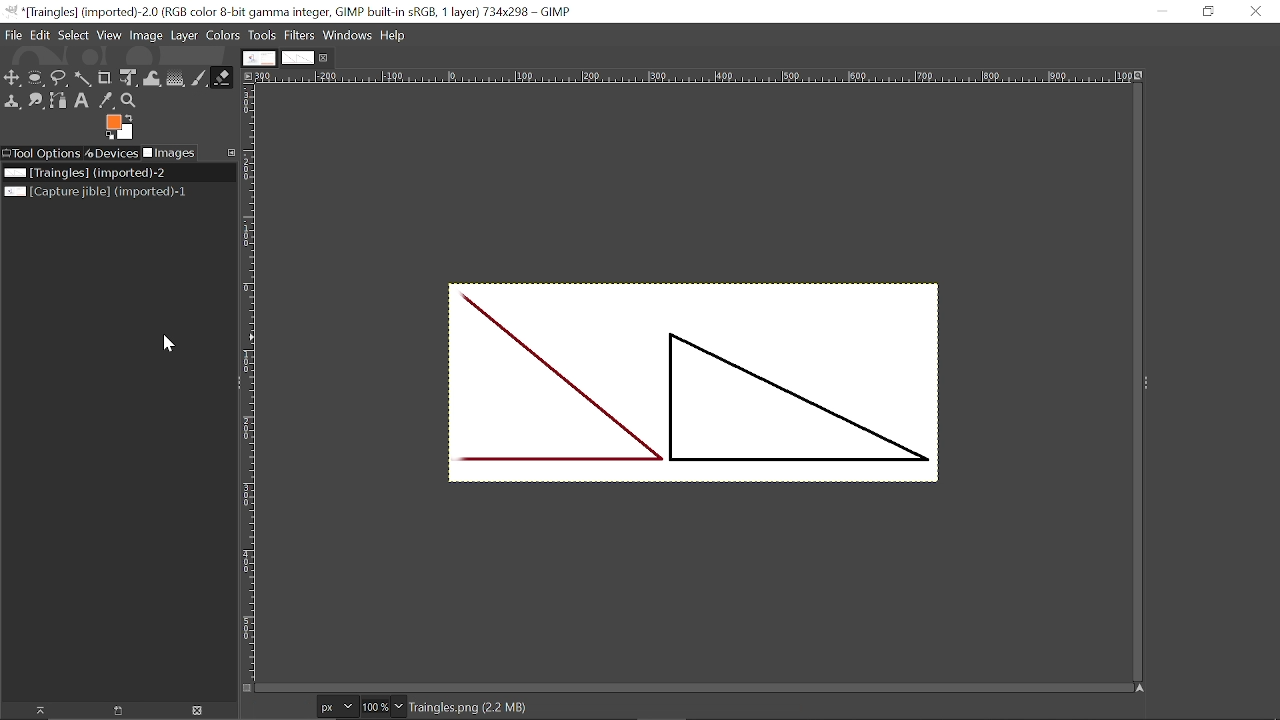 The height and width of the screenshot is (720, 1280). Describe the element at coordinates (127, 78) in the screenshot. I see `Unified transform tool` at that location.